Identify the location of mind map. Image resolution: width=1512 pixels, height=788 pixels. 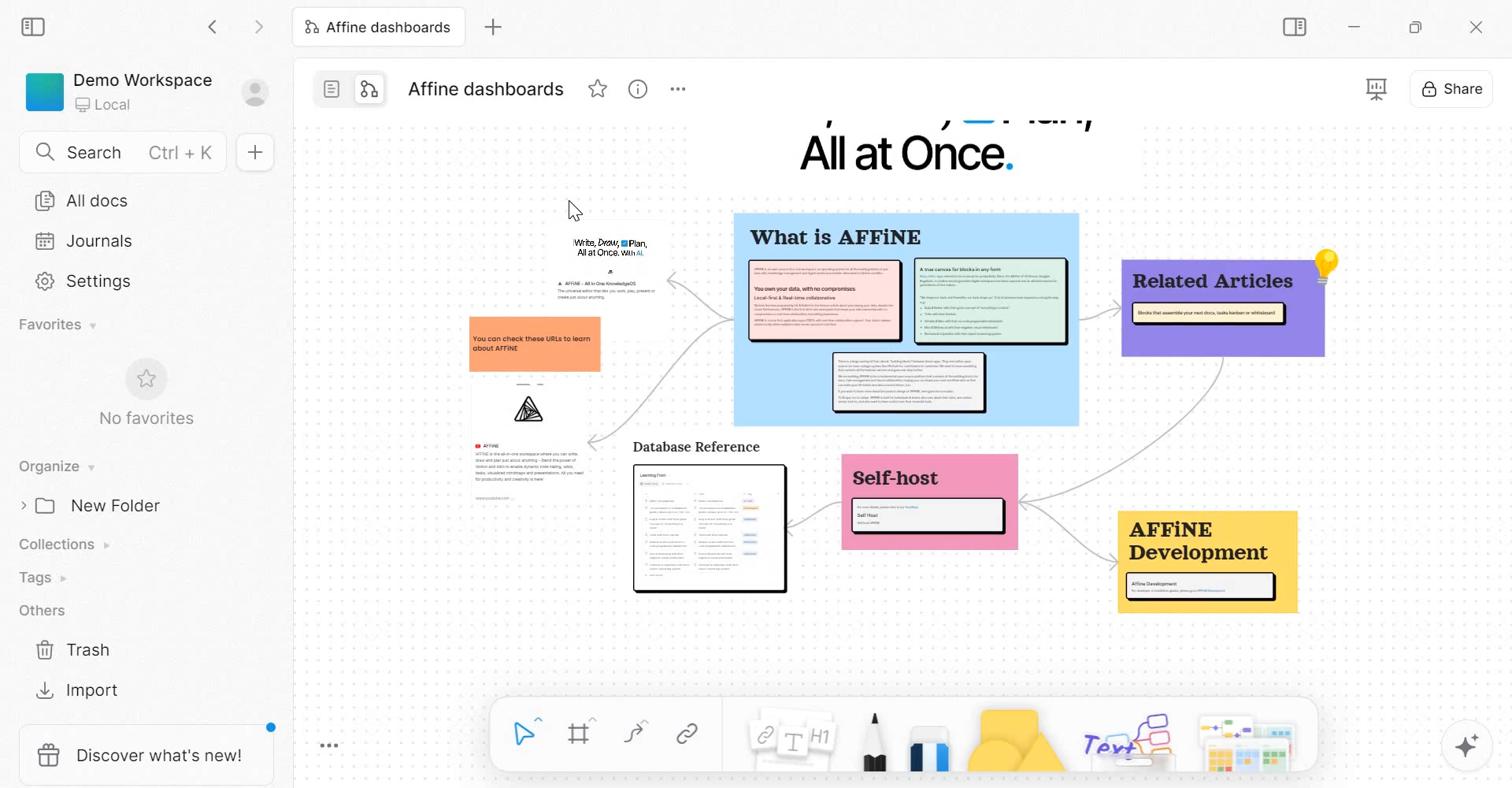
(892, 371).